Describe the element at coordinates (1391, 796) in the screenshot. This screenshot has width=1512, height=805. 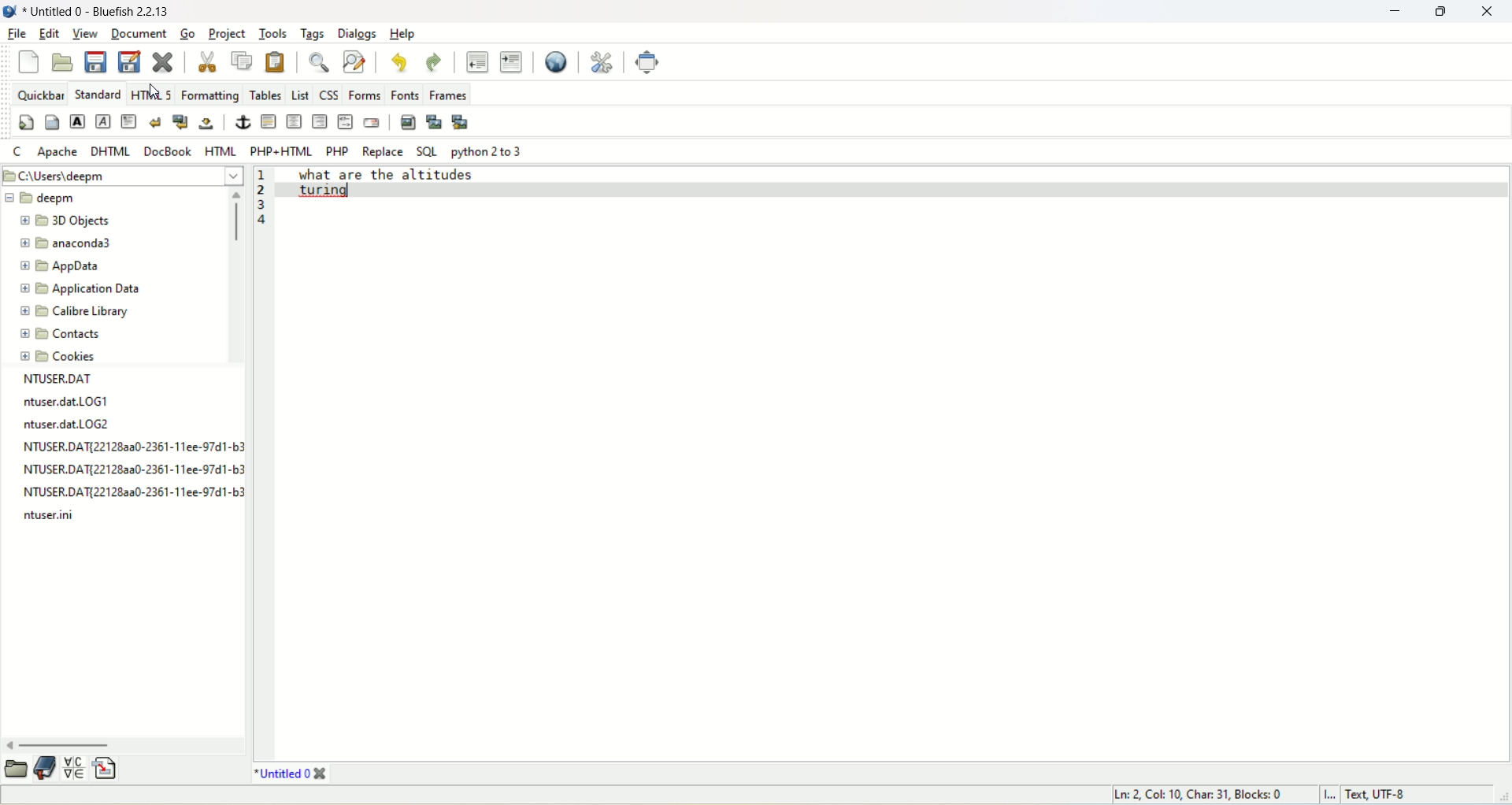
I see `text, UTF-8` at that location.